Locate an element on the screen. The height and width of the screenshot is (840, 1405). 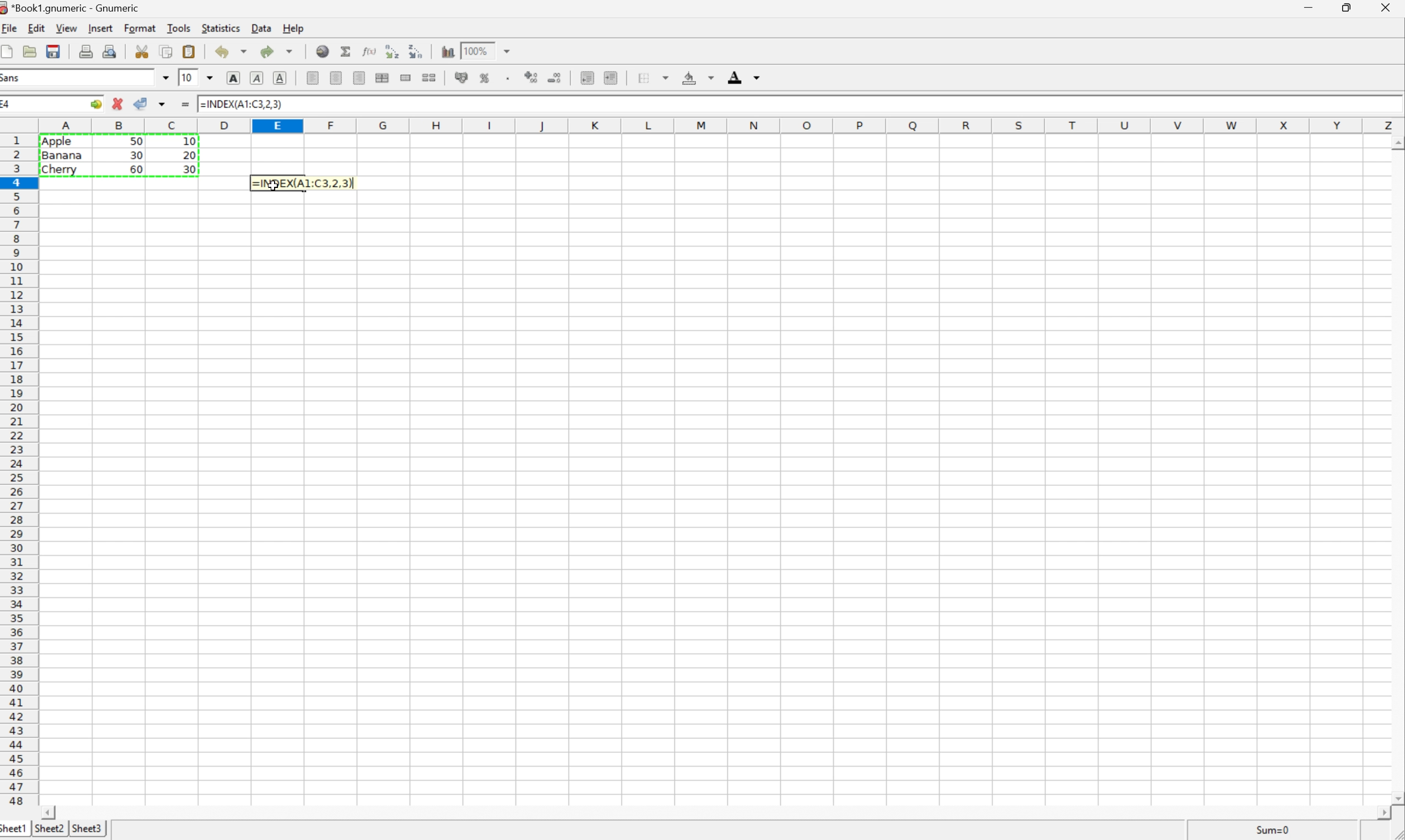
insert hyperlink is located at coordinates (322, 51).